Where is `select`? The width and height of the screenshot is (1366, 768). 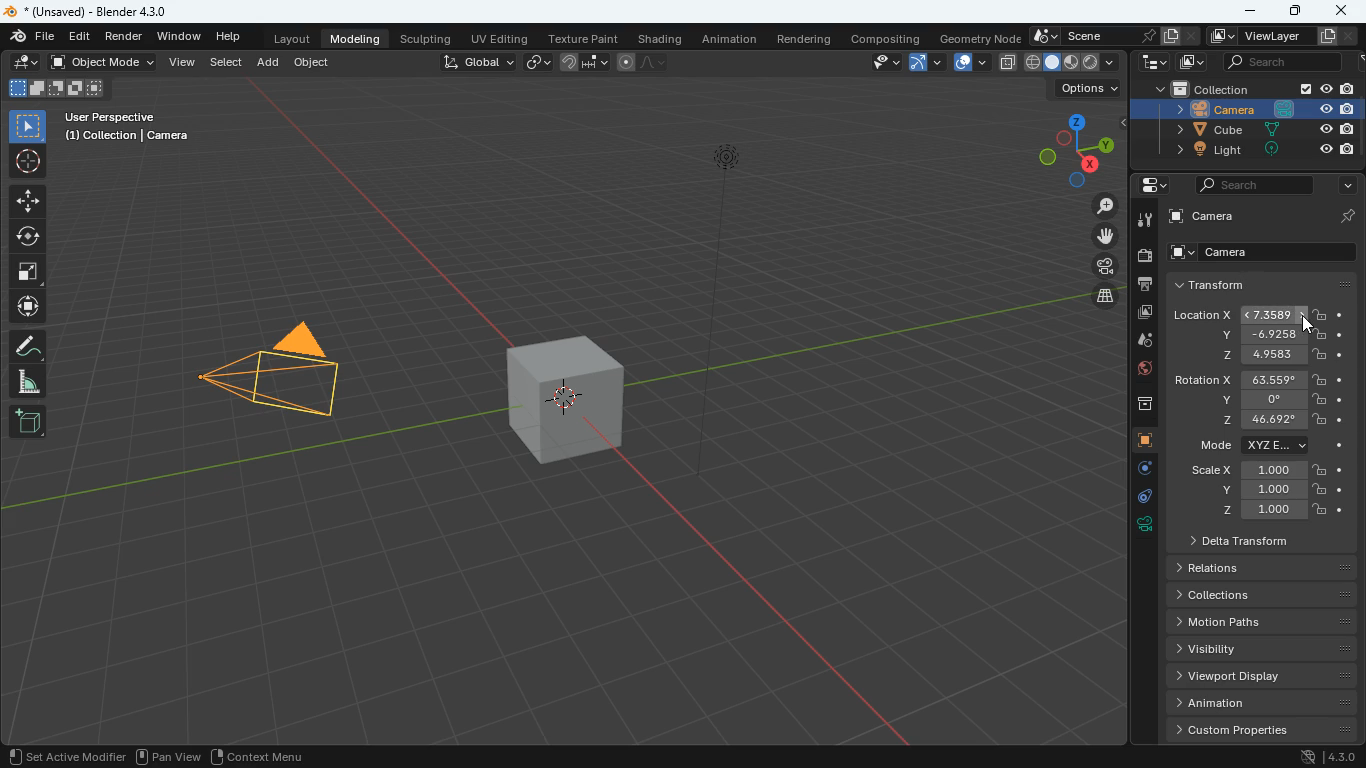
select is located at coordinates (225, 64).